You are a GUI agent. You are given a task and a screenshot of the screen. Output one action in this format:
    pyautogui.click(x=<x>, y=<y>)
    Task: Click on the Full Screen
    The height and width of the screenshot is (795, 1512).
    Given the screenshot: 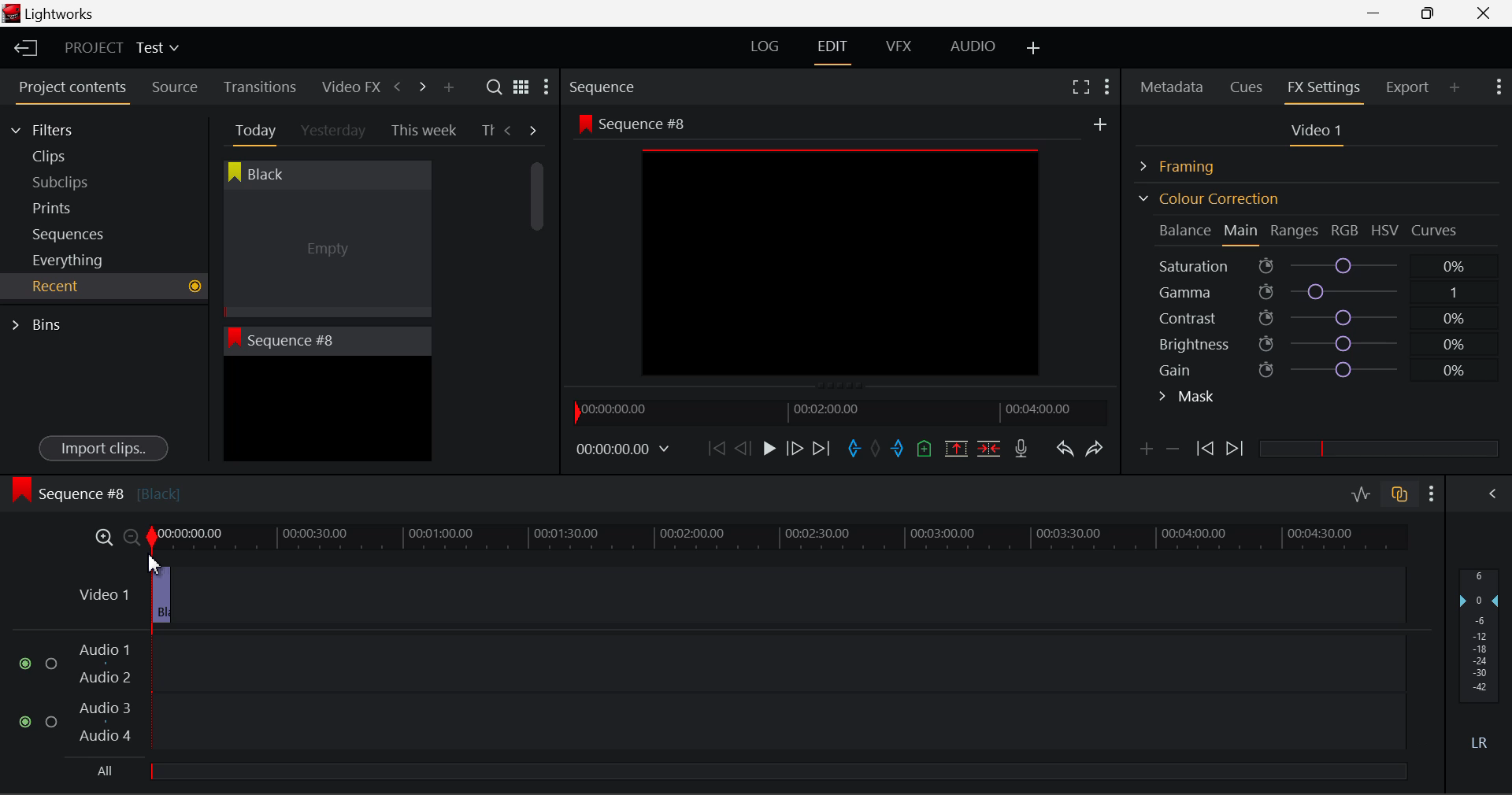 What is the action you would take?
    pyautogui.click(x=1080, y=86)
    